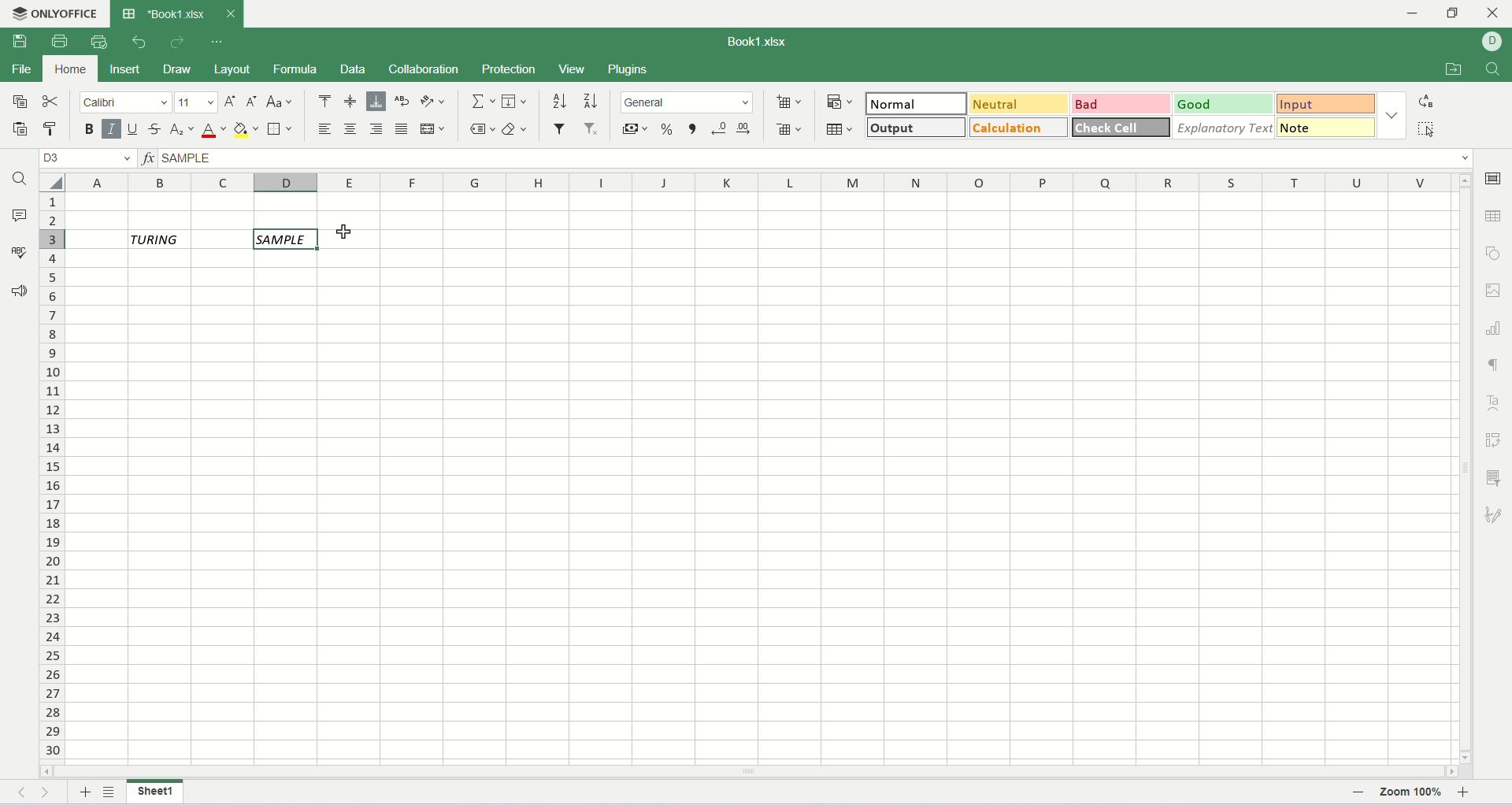  I want to click on check cell, so click(1122, 125).